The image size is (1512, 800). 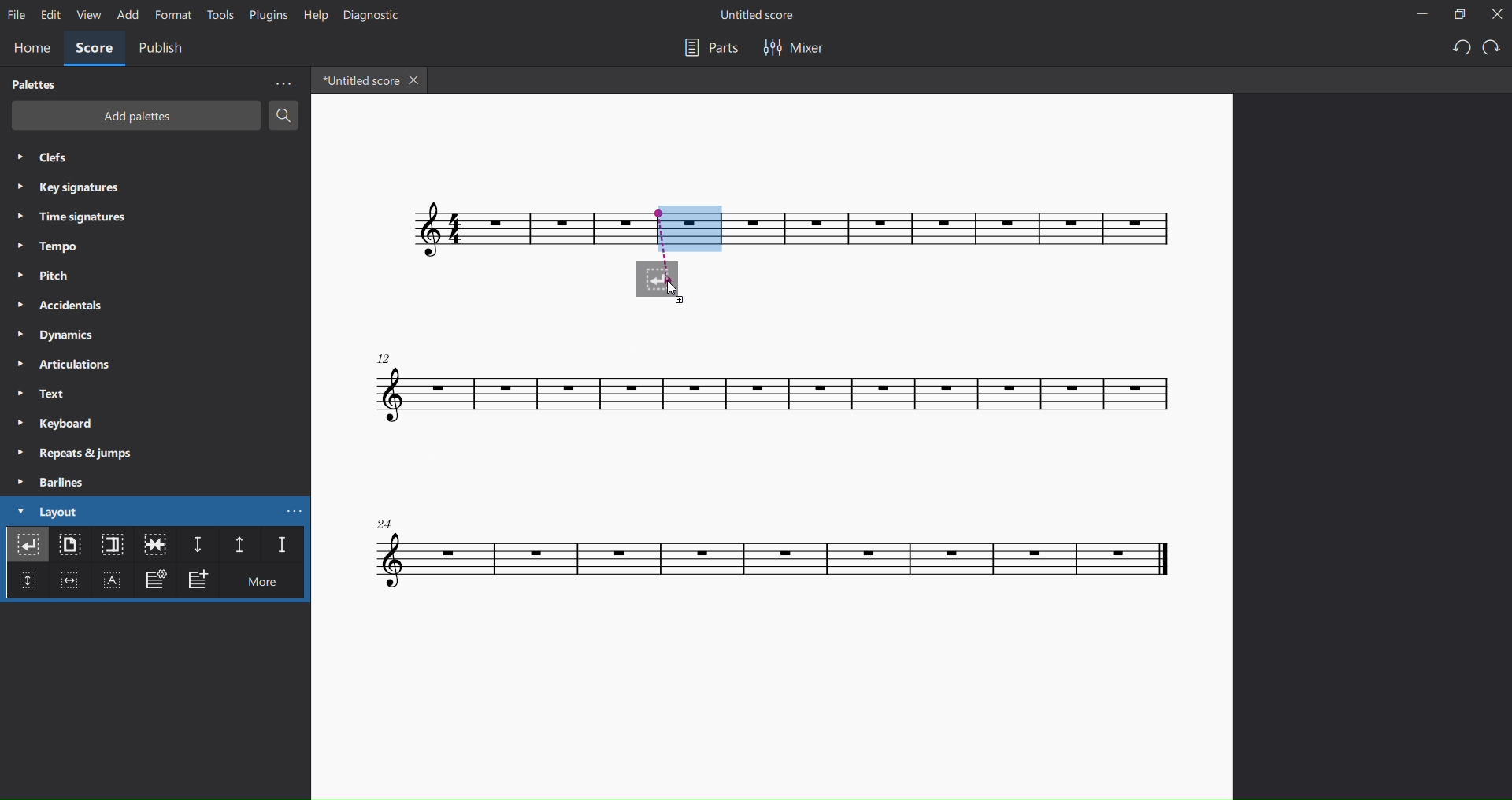 I want to click on undo, so click(x=1455, y=49).